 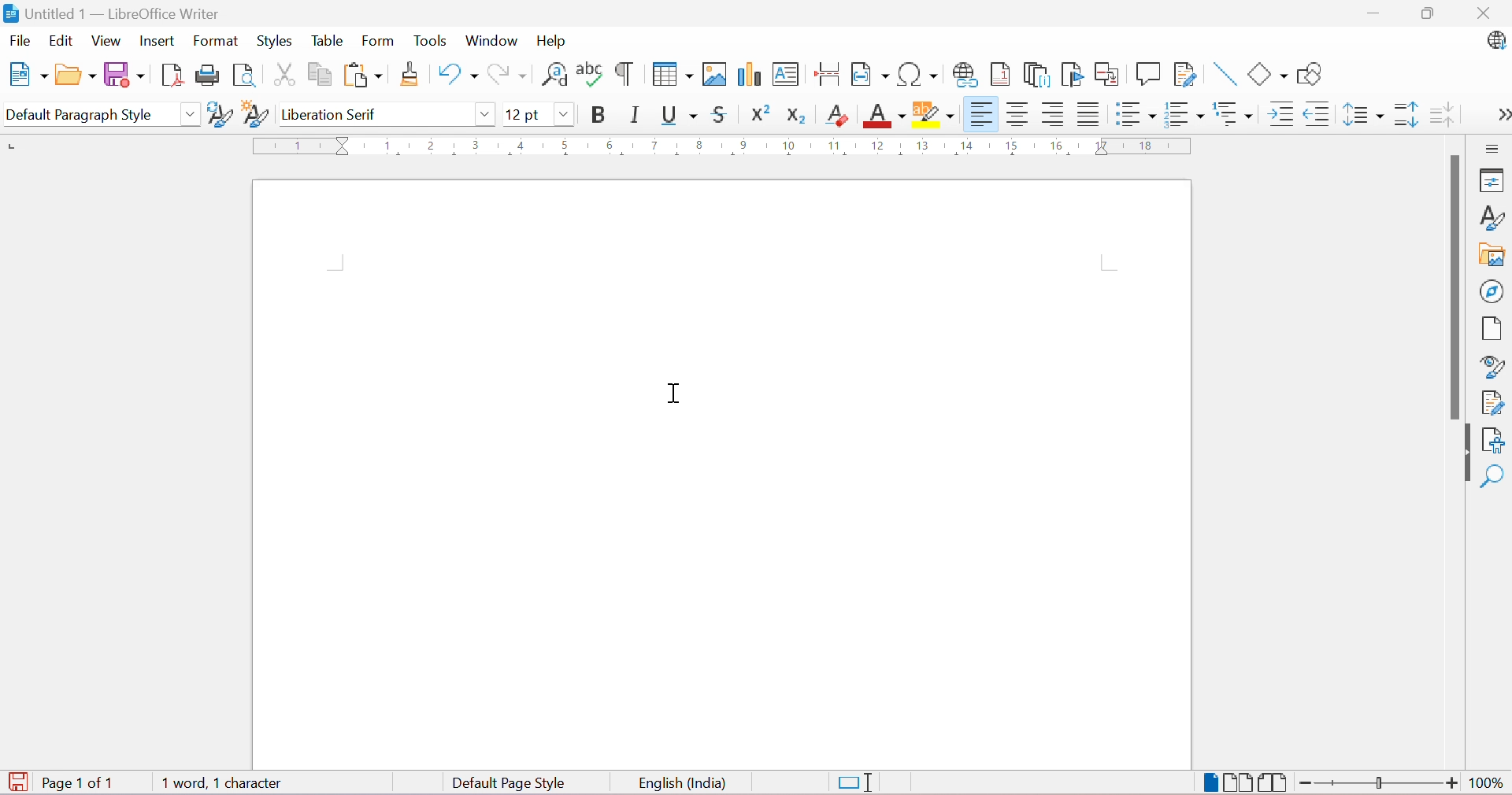 What do you see at coordinates (1372, 14) in the screenshot?
I see `Minimize` at bounding box center [1372, 14].